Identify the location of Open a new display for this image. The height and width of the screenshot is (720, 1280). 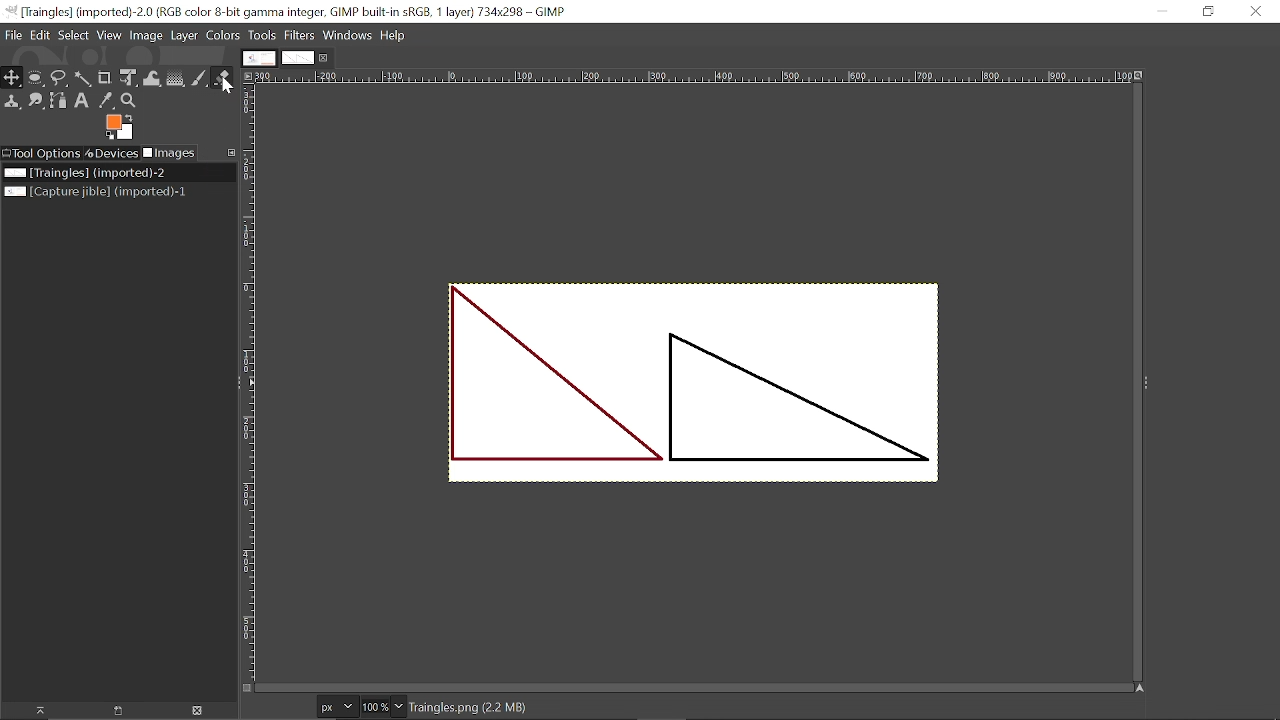
(112, 711).